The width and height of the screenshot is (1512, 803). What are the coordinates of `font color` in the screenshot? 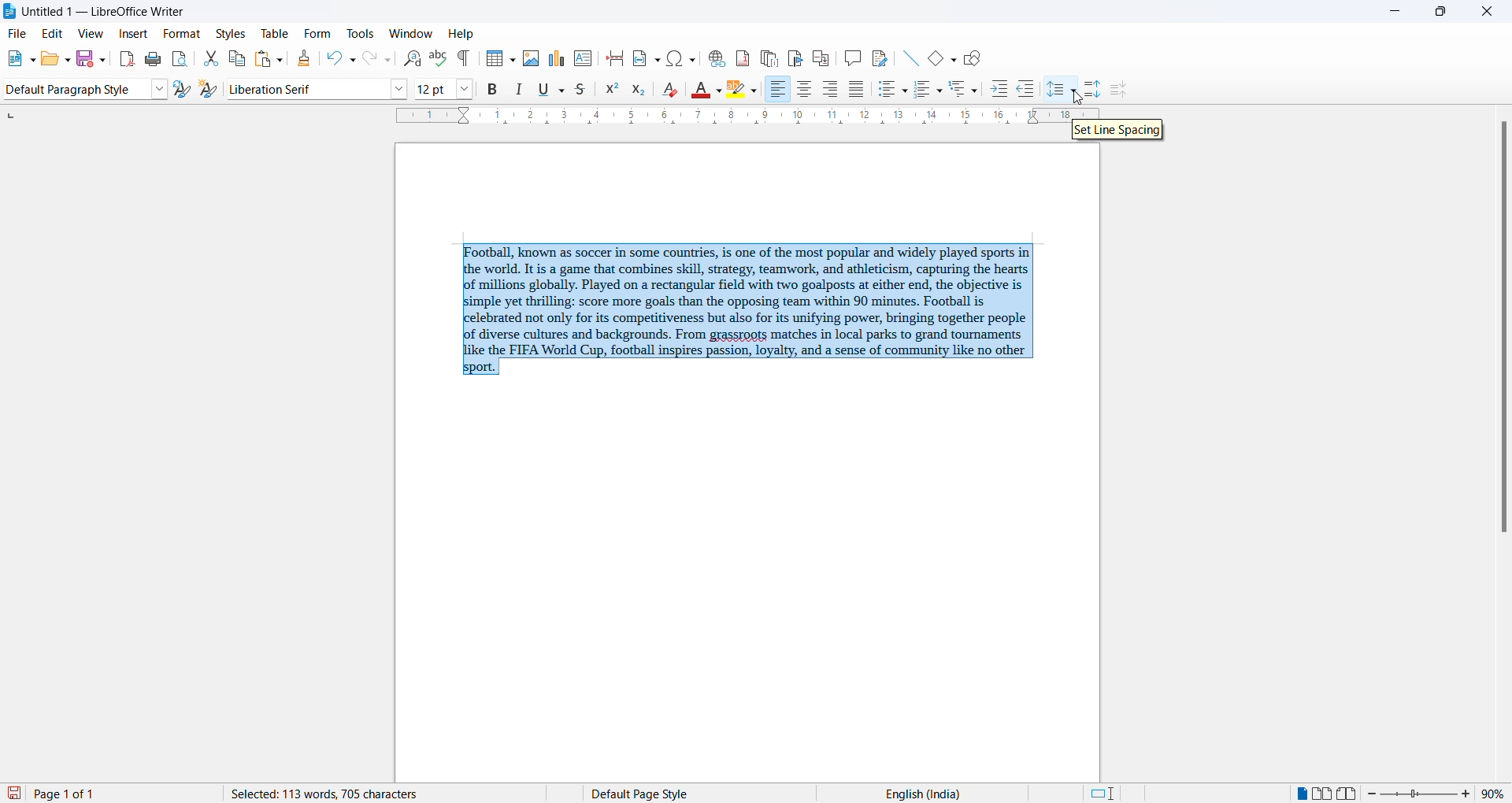 It's located at (701, 89).